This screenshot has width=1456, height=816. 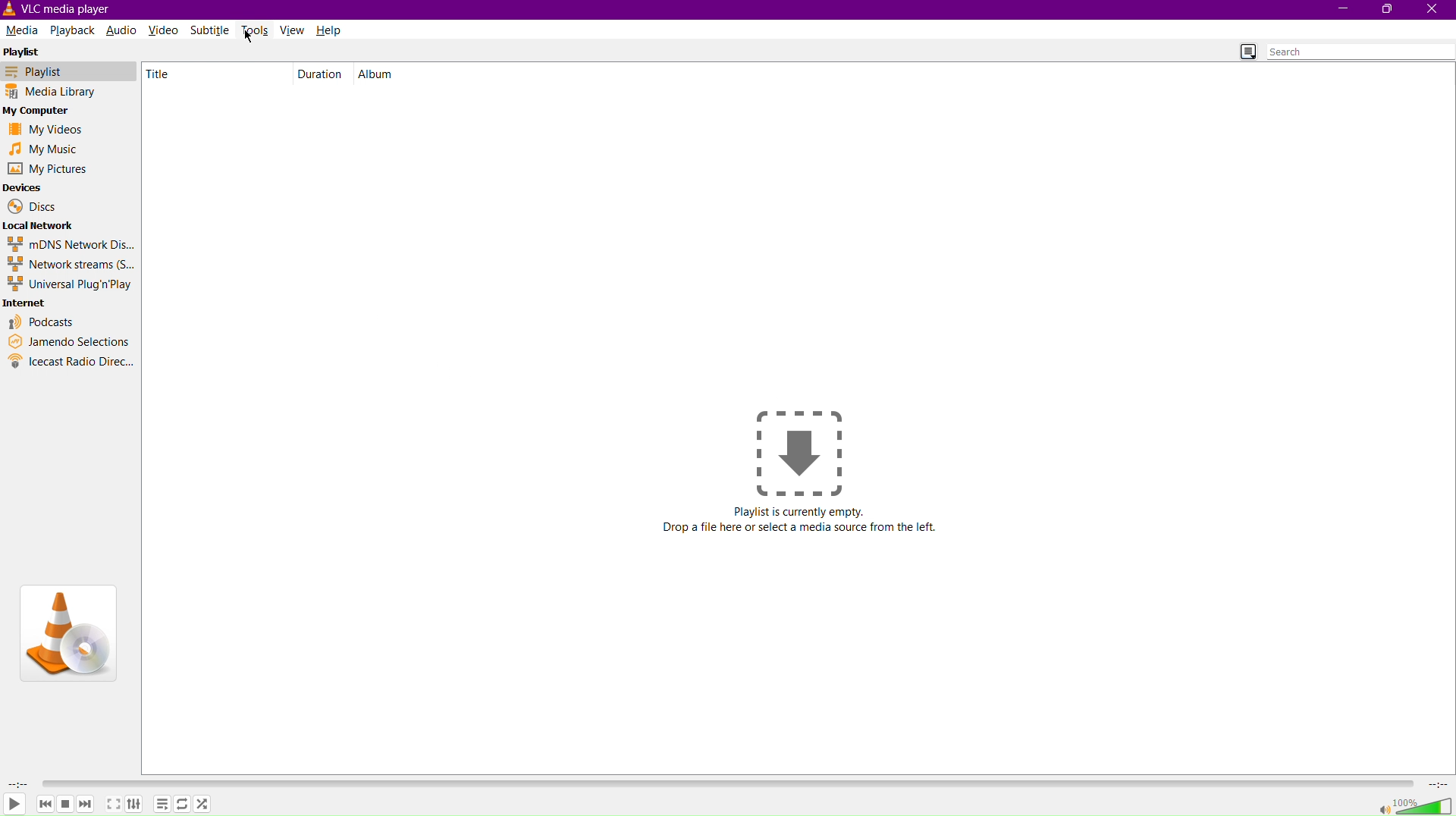 What do you see at coordinates (45, 150) in the screenshot?
I see `My Music` at bounding box center [45, 150].